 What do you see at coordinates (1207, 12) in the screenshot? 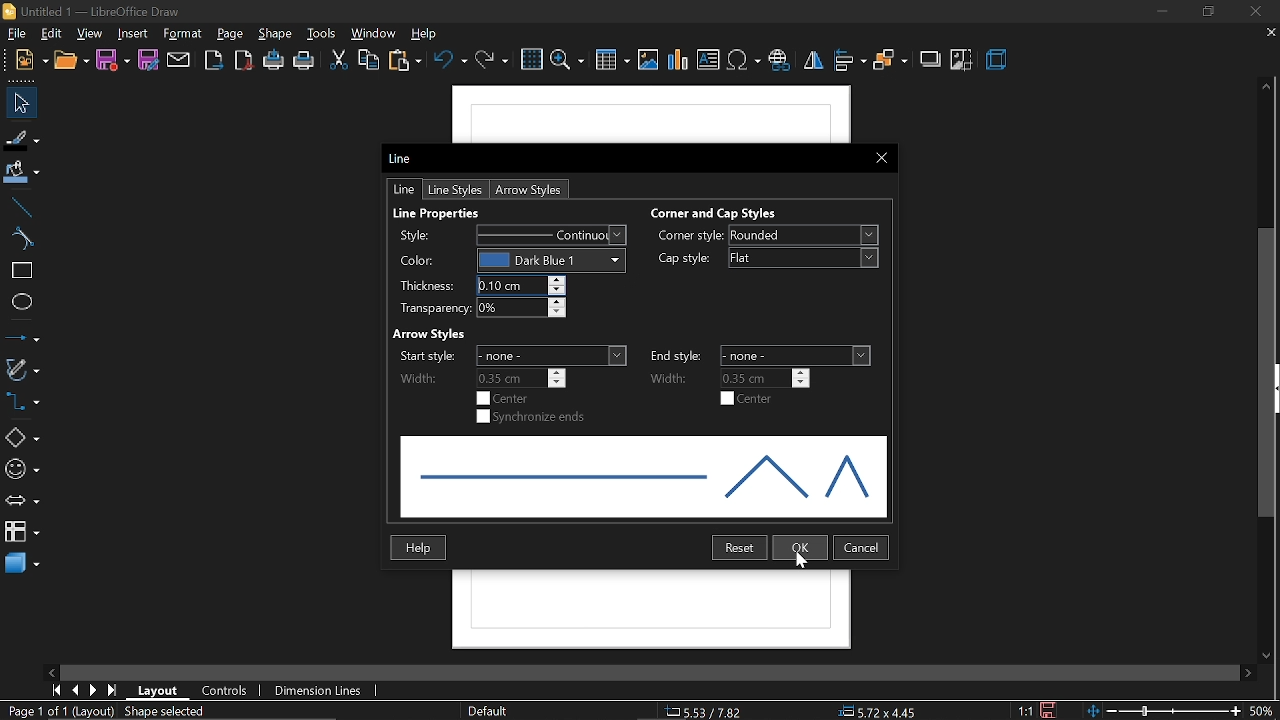
I see `restore down` at bounding box center [1207, 12].